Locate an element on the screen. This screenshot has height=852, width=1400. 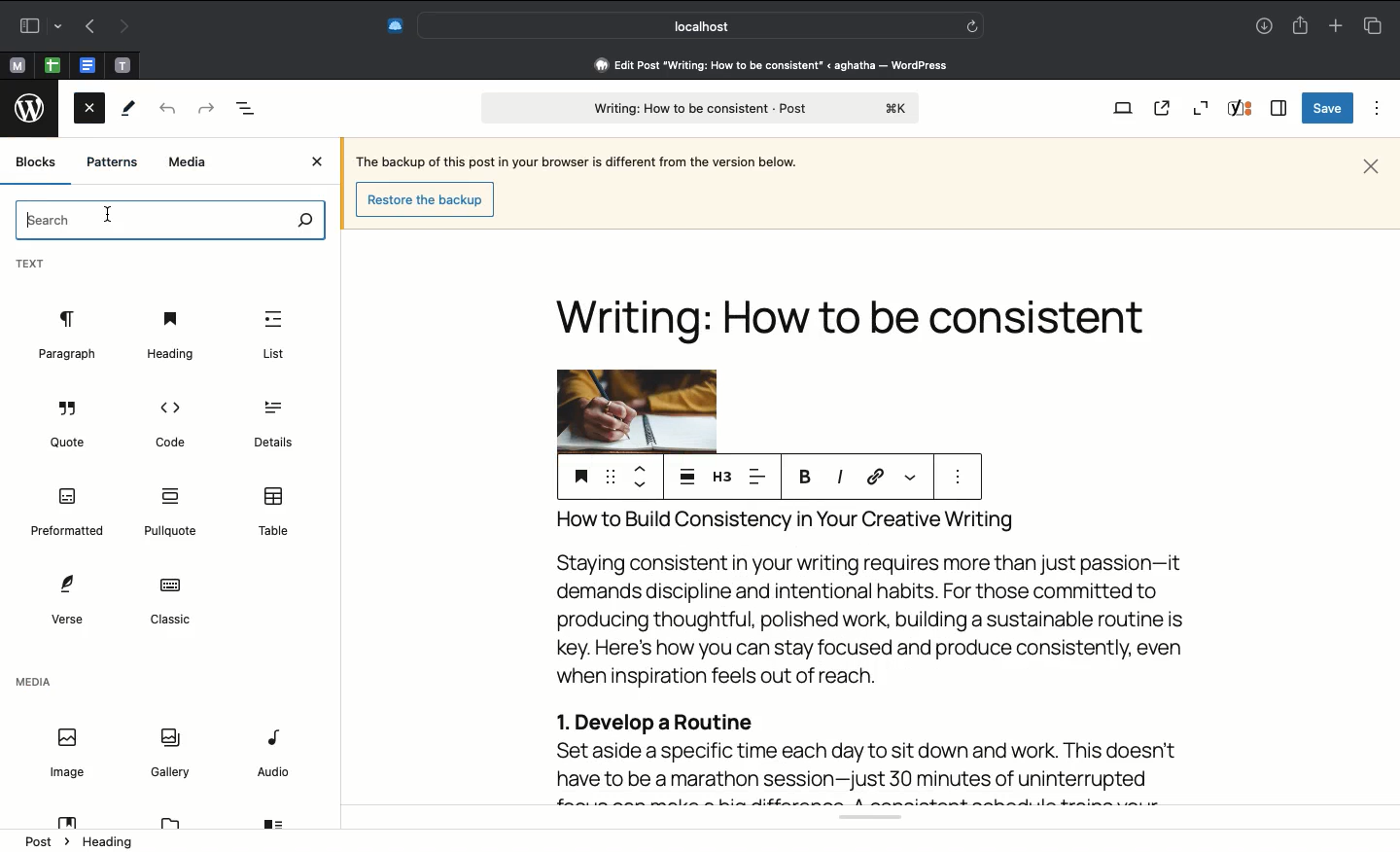
Close is located at coordinates (89, 112).